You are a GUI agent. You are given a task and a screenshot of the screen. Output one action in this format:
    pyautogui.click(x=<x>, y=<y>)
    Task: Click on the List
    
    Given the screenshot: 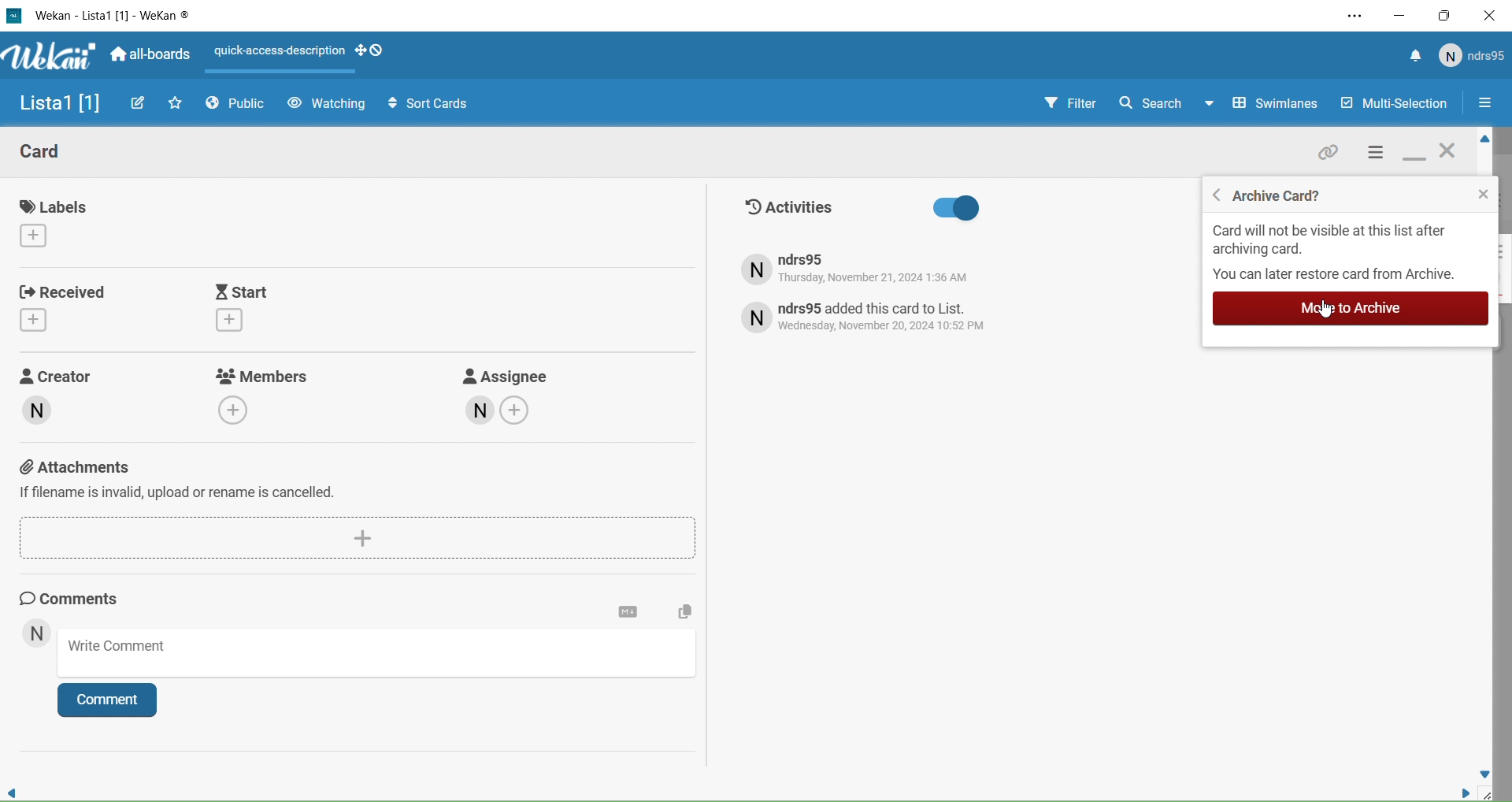 What is the action you would take?
    pyautogui.click(x=57, y=106)
    